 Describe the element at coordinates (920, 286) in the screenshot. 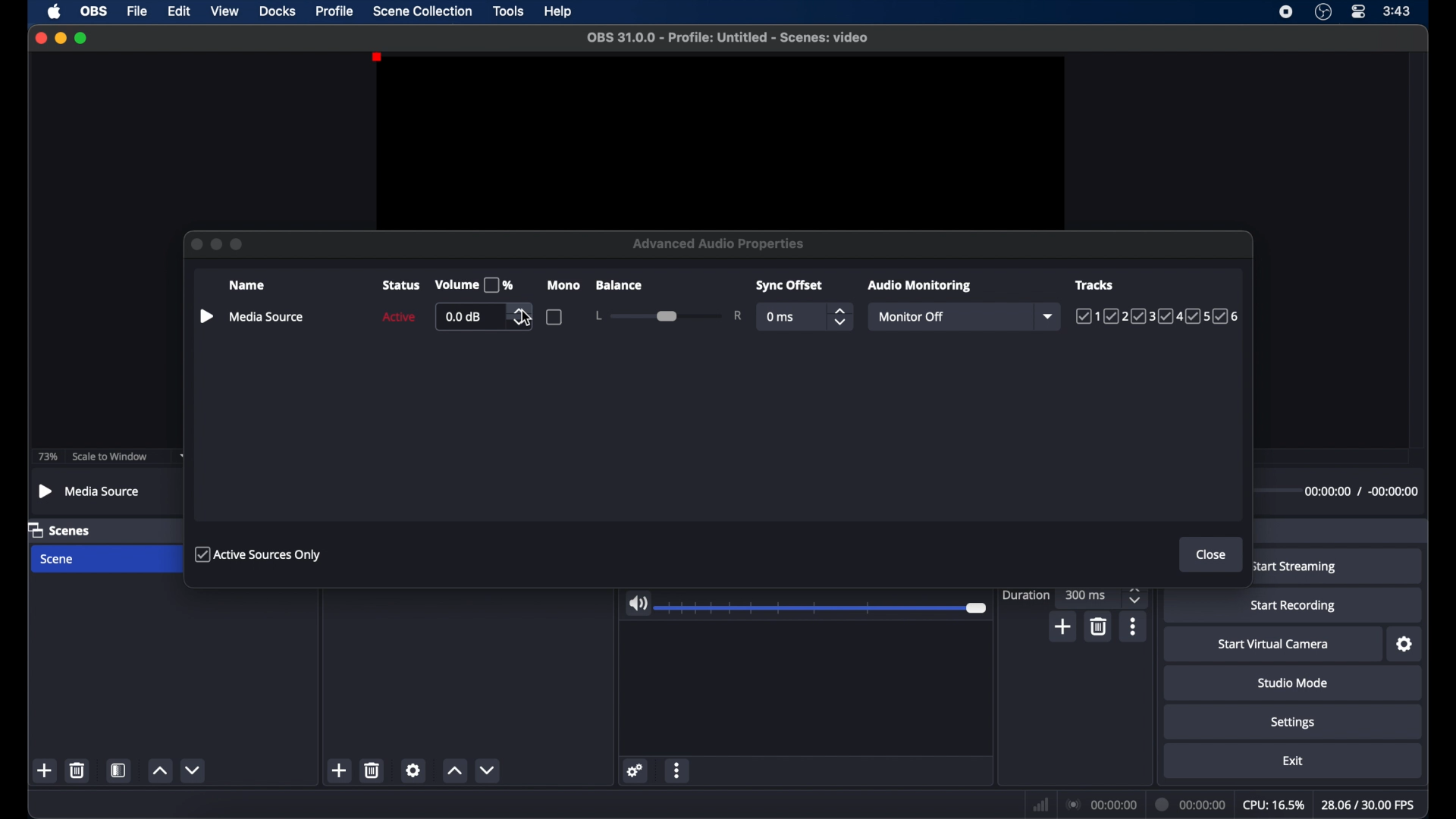

I see `audio monitoring` at that location.